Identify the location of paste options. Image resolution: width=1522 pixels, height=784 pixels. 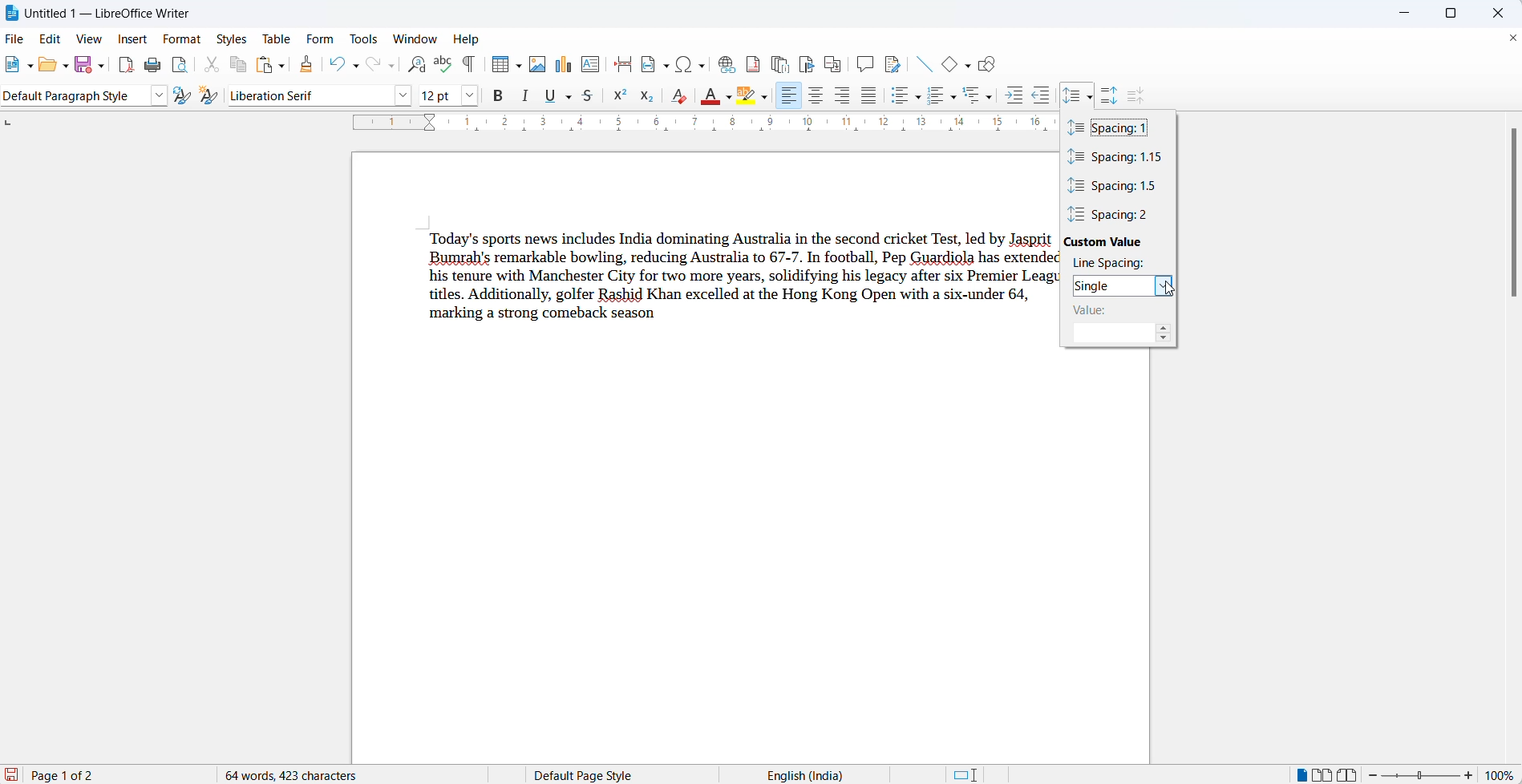
(286, 66).